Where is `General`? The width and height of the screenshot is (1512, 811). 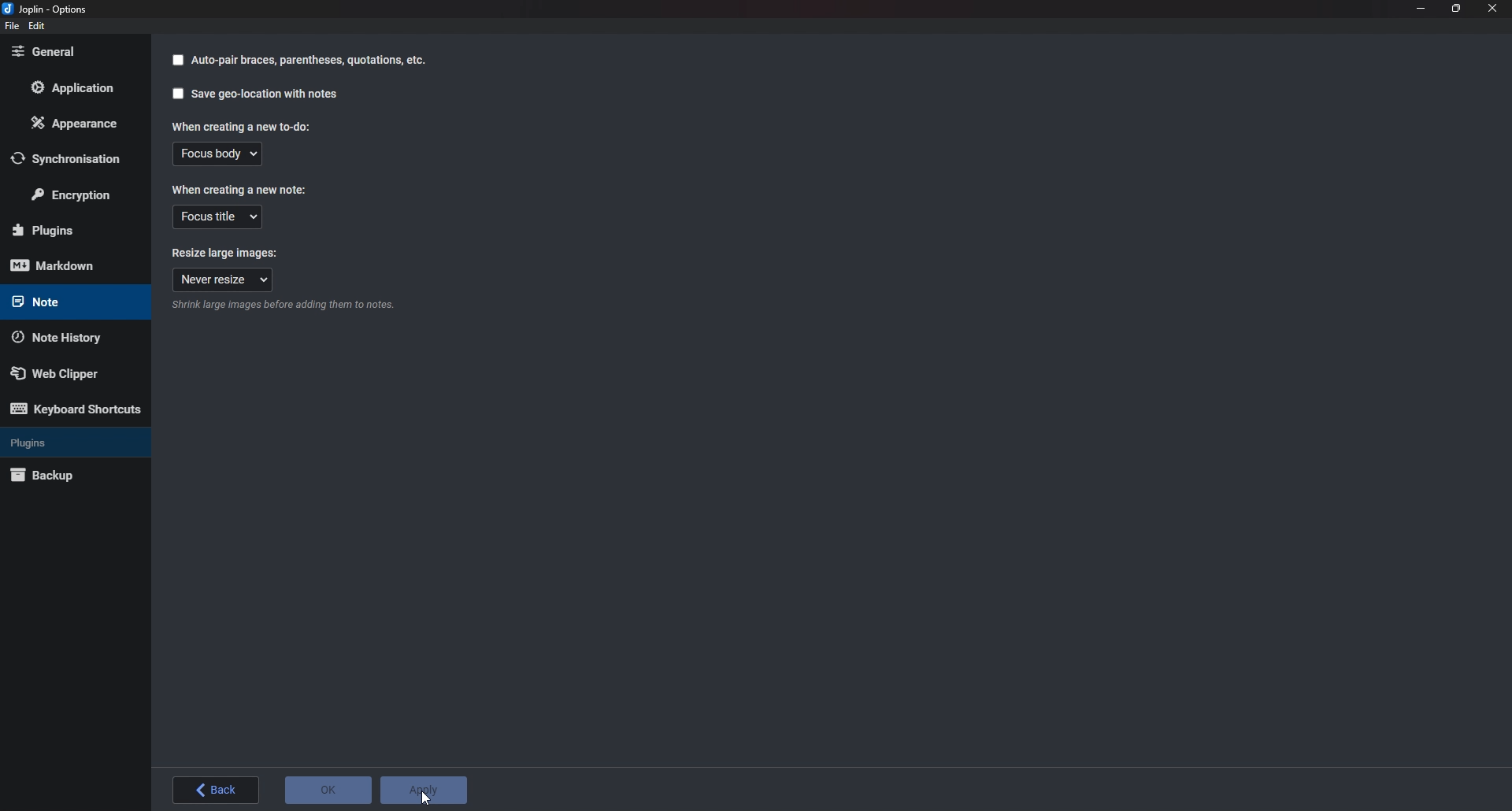
General is located at coordinates (67, 52).